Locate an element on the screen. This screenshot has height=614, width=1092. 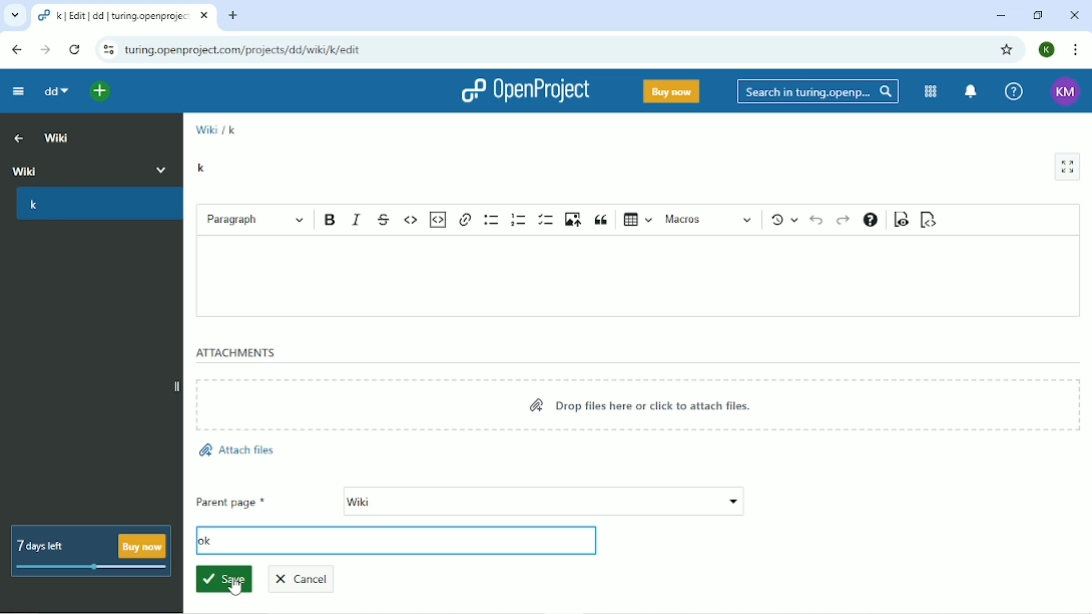
OpenProject is located at coordinates (523, 92).